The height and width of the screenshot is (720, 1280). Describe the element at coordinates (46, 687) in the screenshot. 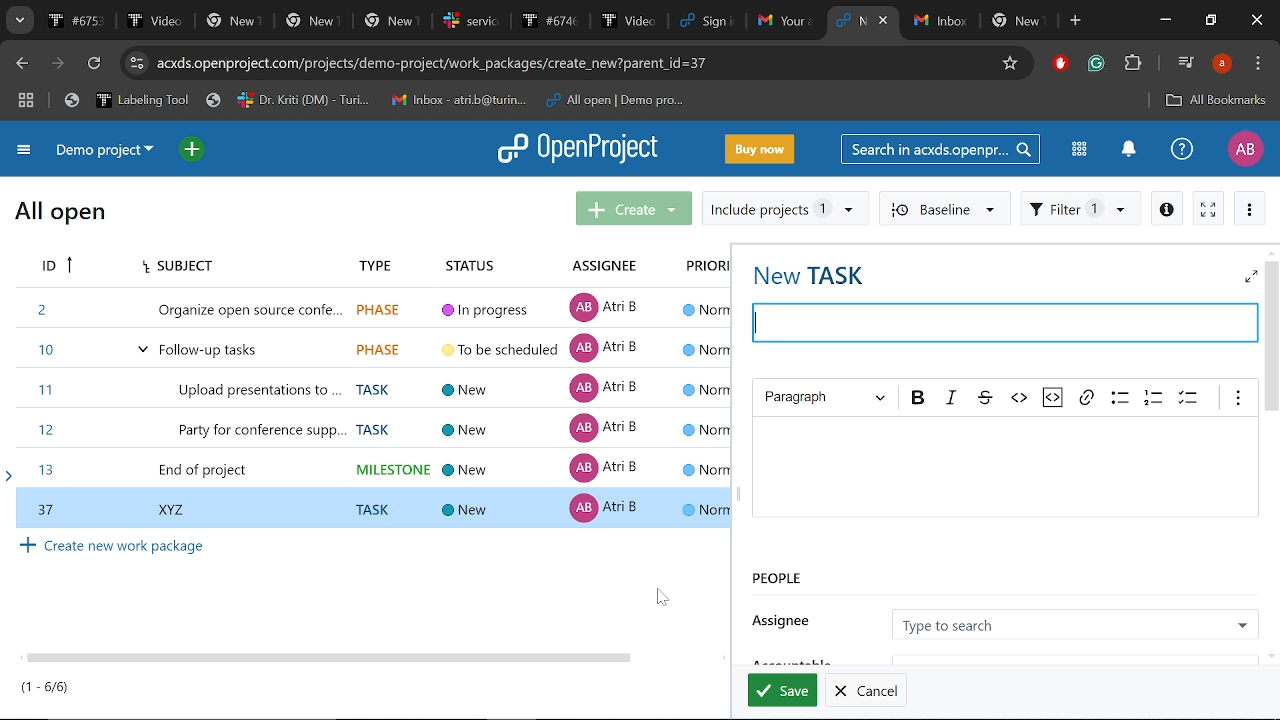

I see `Tasks` at that location.